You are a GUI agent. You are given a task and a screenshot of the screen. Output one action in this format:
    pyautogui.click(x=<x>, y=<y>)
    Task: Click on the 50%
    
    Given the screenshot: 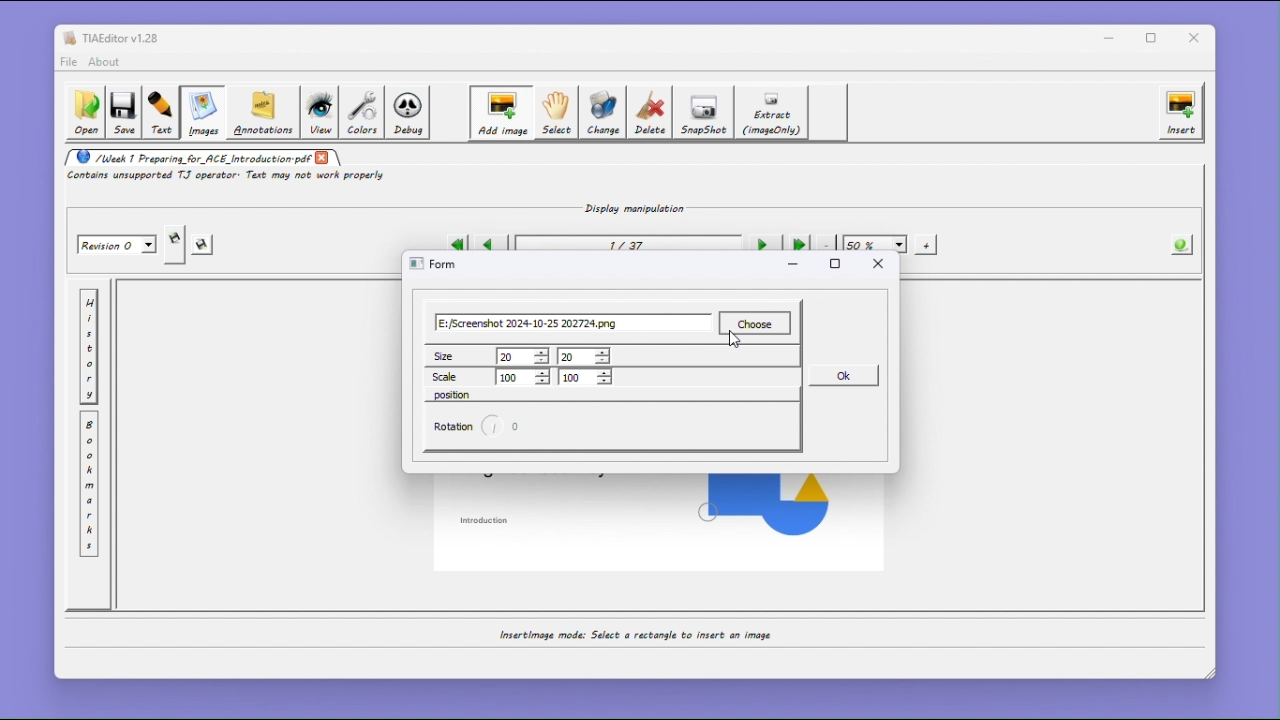 What is the action you would take?
    pyautogui.click(x=875, y=244)
    